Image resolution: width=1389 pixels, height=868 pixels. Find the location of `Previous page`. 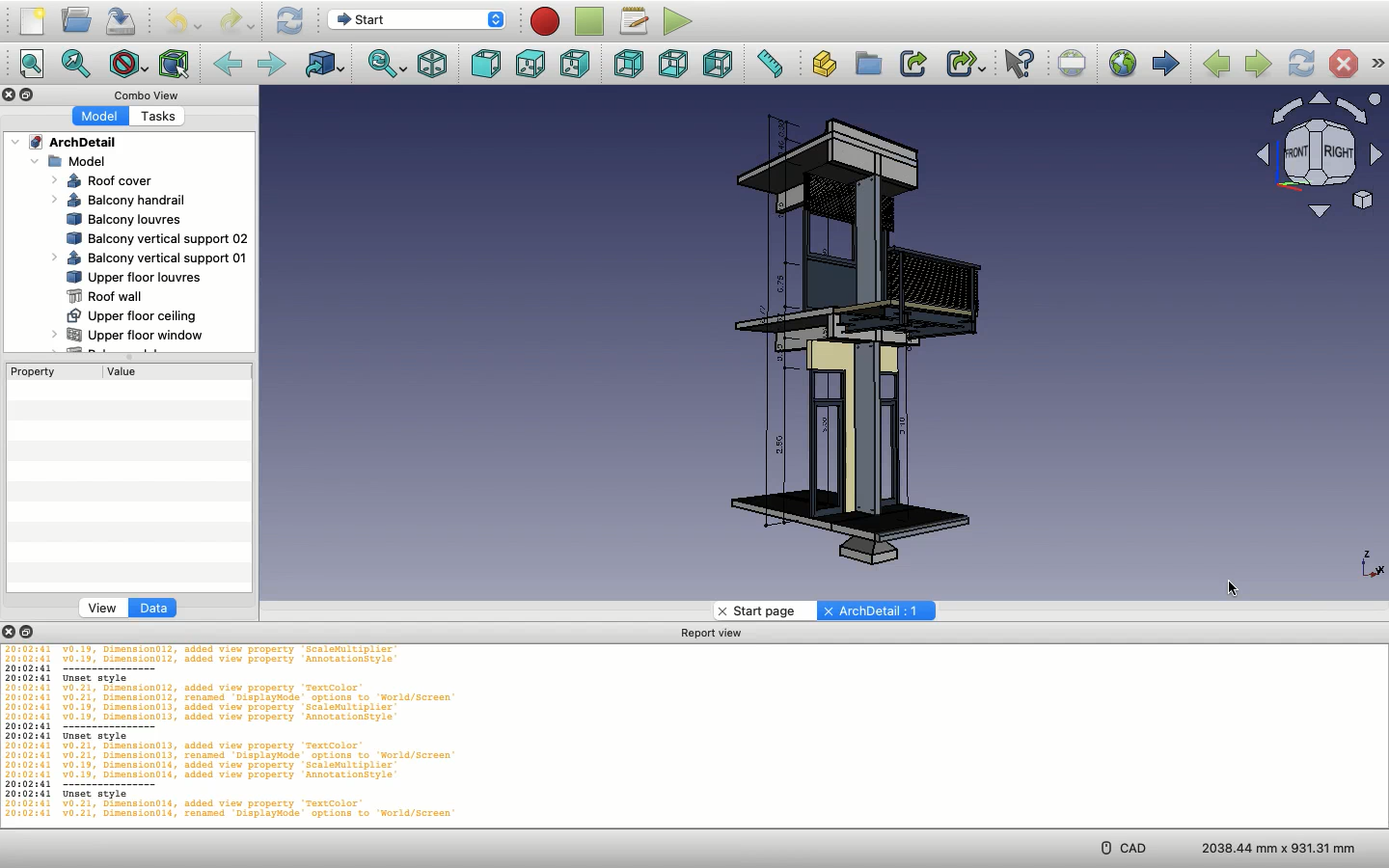

Previous page is located at coordinates (1214, 65).